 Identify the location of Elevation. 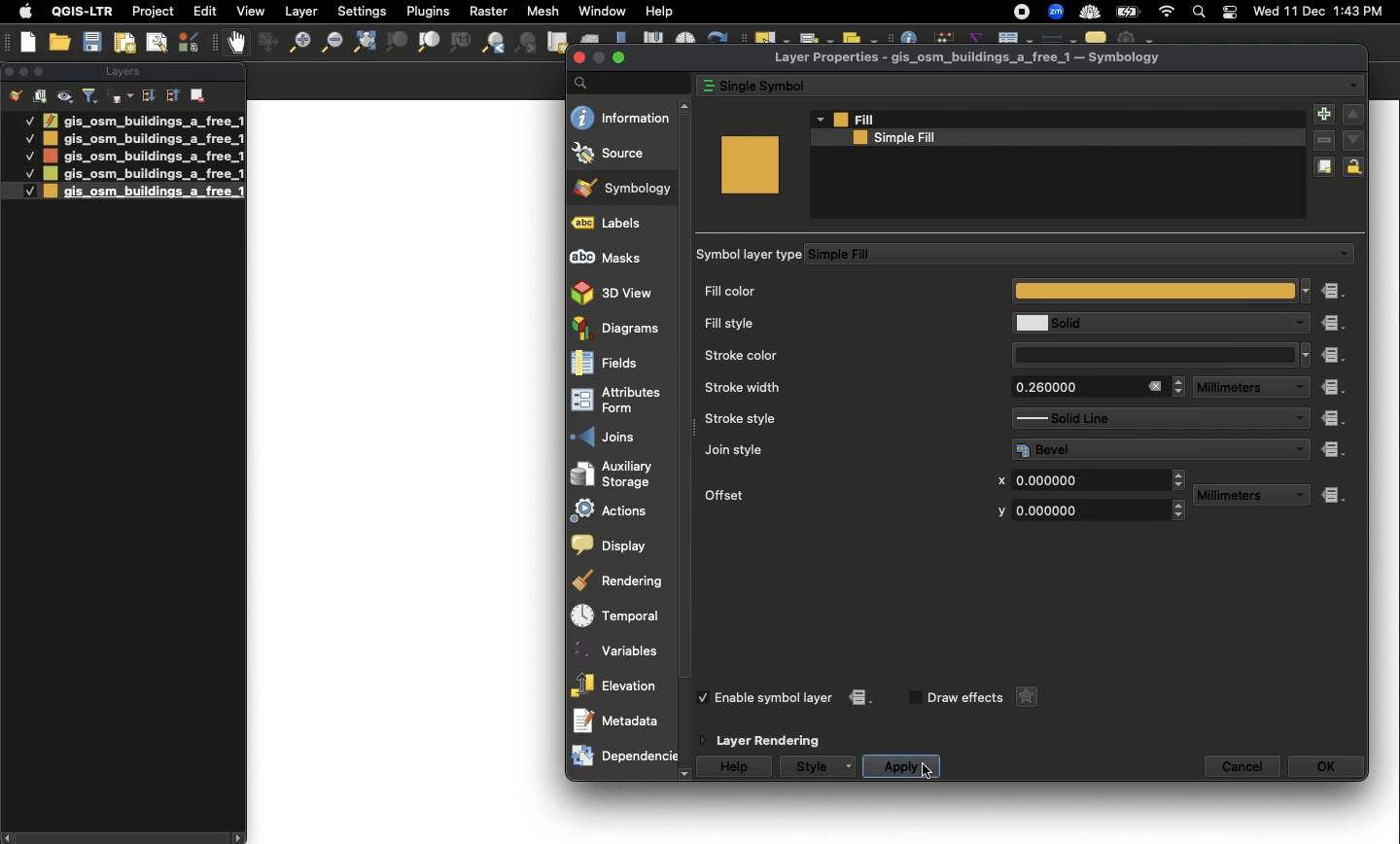
(617, 685).